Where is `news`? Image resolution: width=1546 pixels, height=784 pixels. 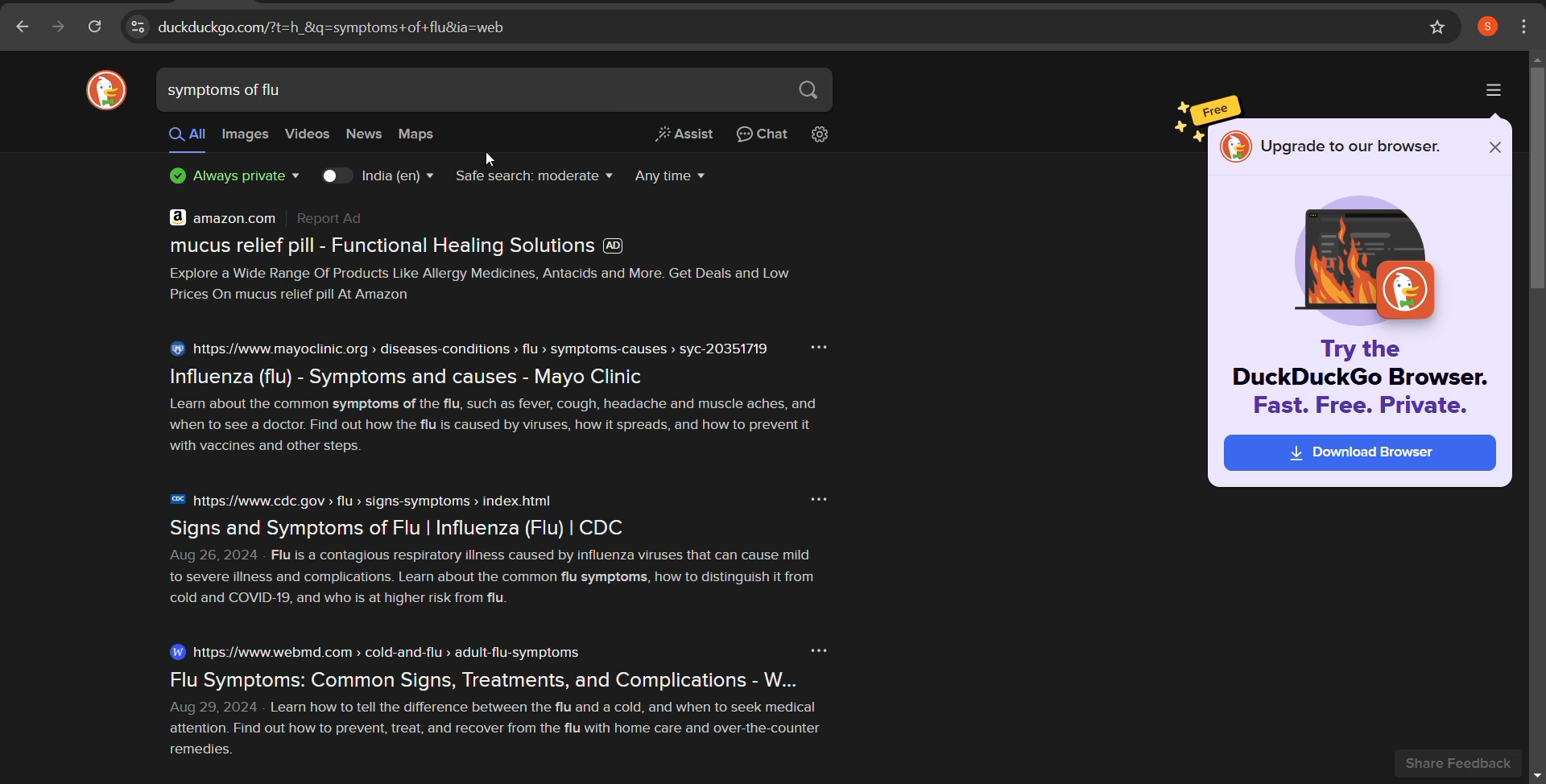
news is located at coordinates (366, 137).